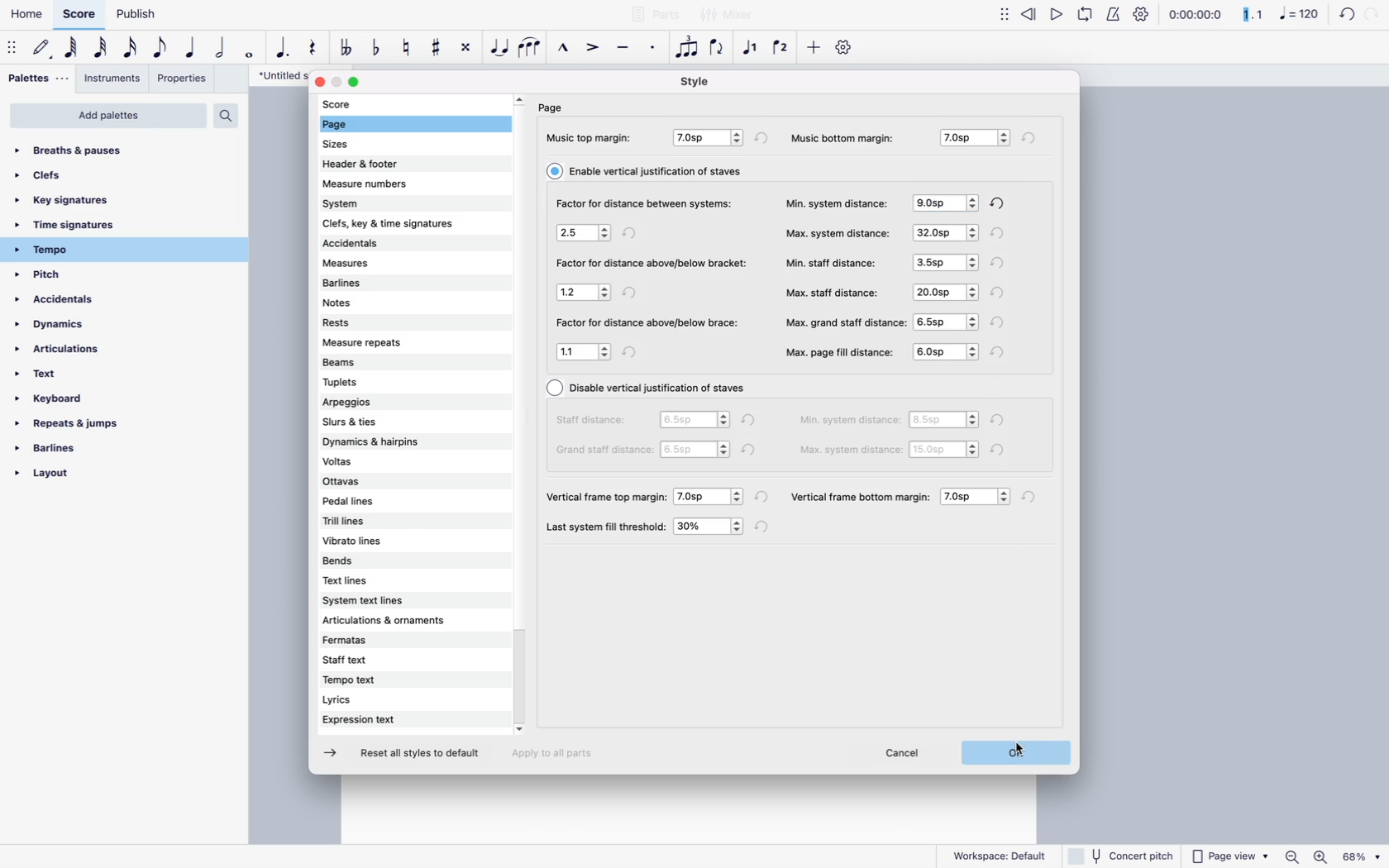 This screenshot has width=1389, height=868. What do you see at coordinates (560, 756) in the screenshot?
I see `apply to all parts` at bounding box center [560, 756].